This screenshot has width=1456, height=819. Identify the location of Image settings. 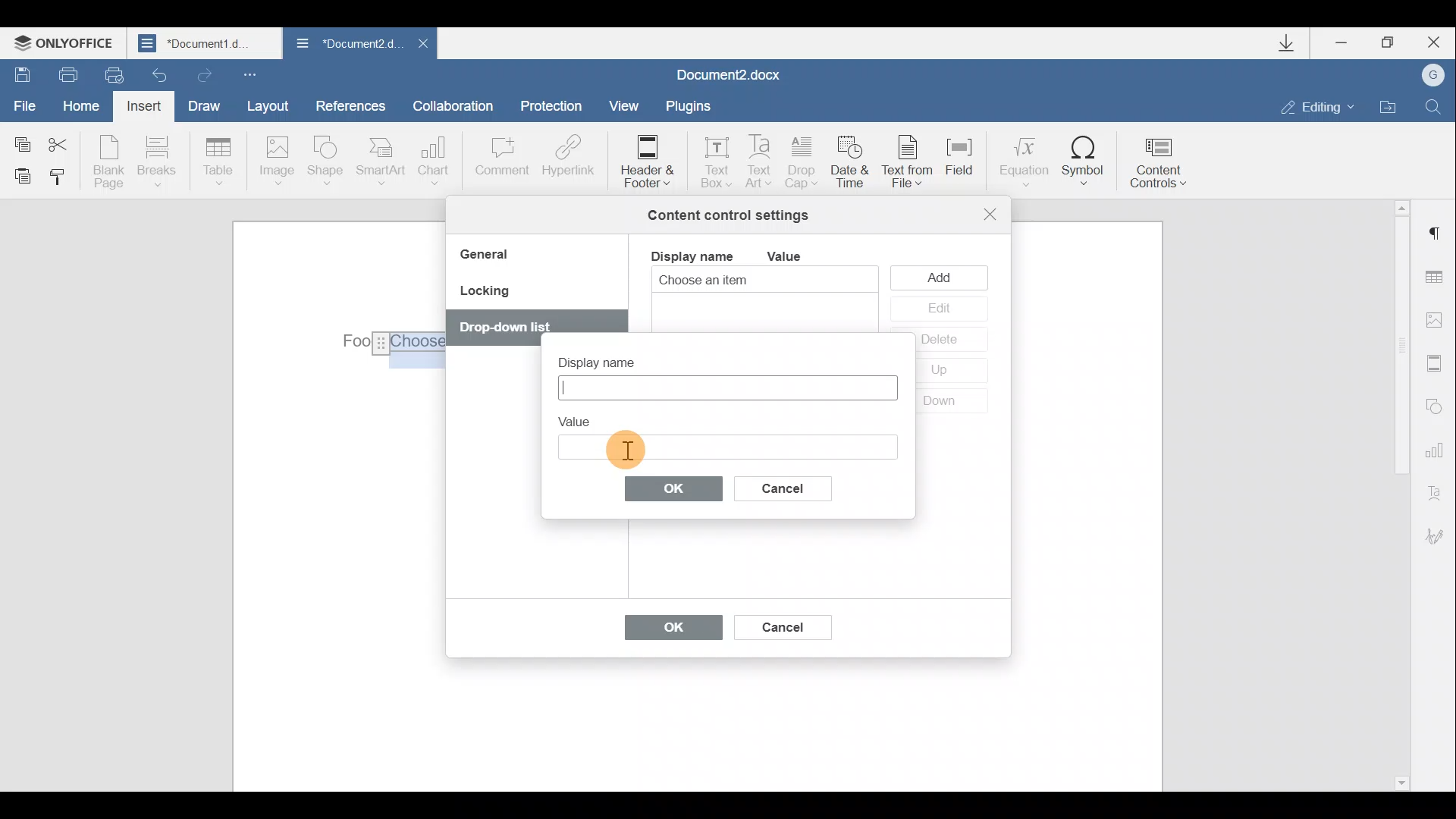
(1438, 320).